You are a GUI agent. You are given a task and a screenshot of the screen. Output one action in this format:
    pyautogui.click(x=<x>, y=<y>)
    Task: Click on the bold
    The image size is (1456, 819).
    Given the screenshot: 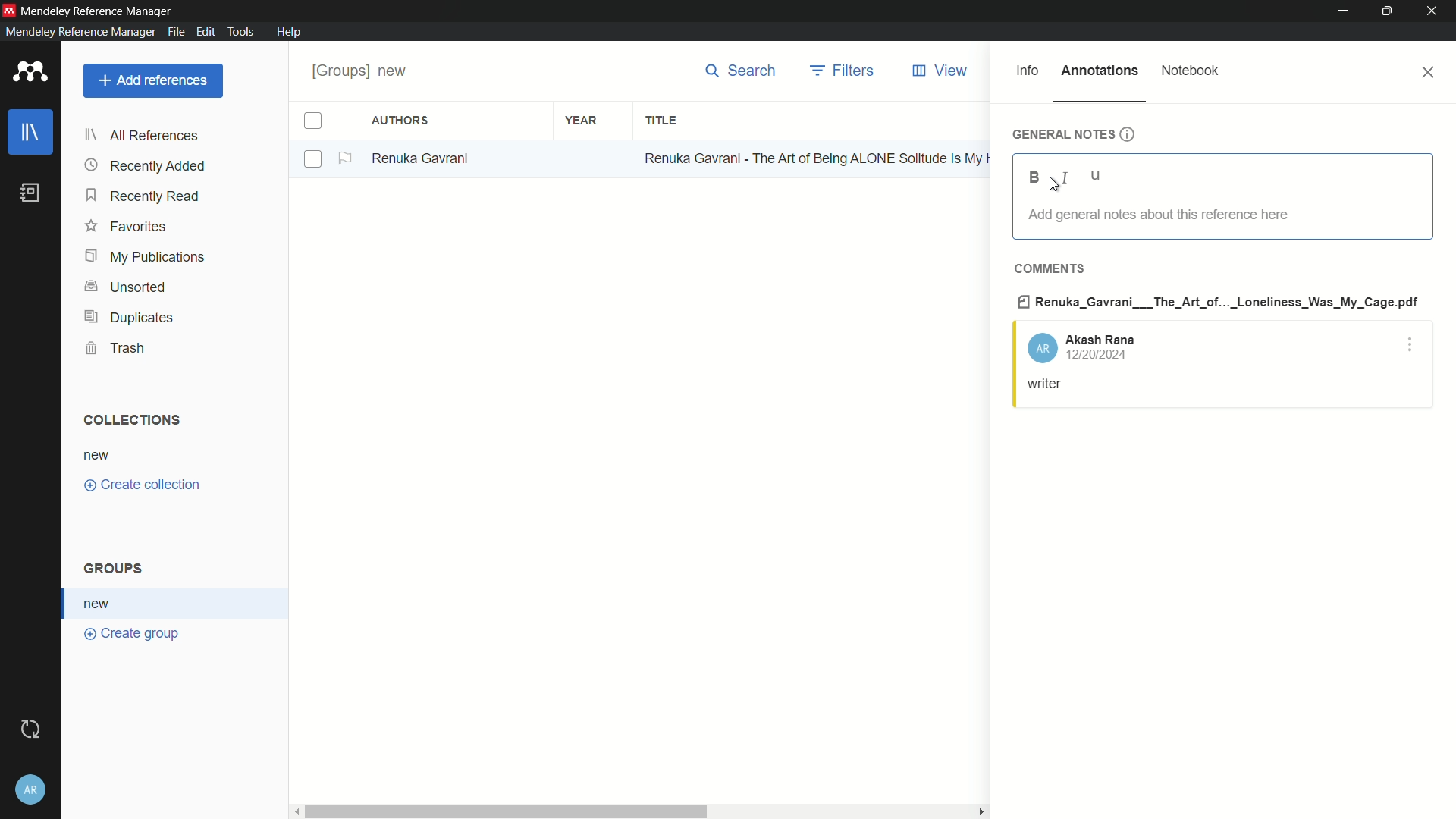 What is the action you would take?
    pyautogui.click(x=1034, y=177)
    